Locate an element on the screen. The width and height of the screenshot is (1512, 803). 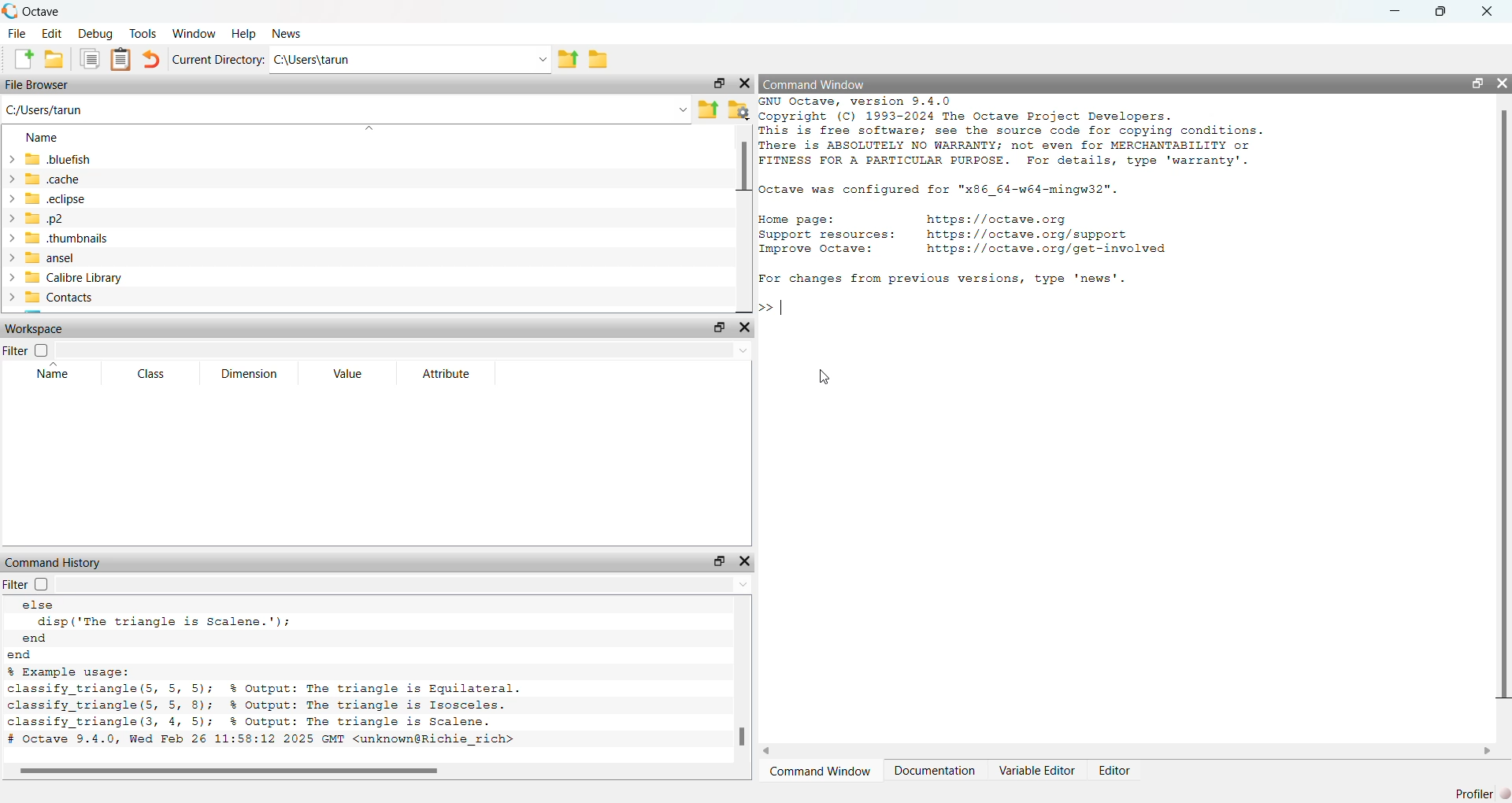
close is located at coordinates (1489, 11).